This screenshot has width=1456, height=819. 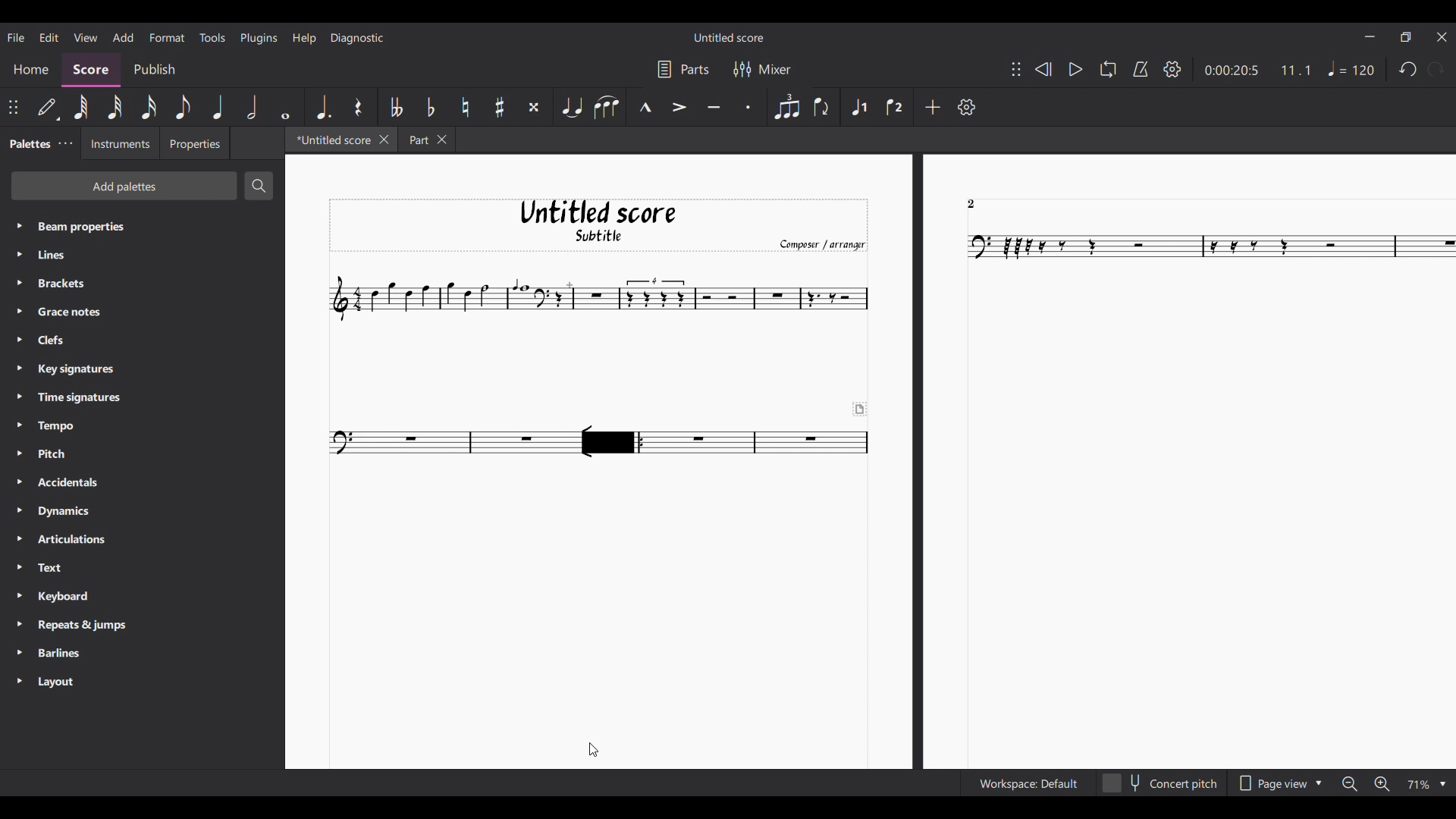 What do you see at coordinates (895, 107) in the screenshot?
I see `Voice 2` at bounding box center [895, 107].